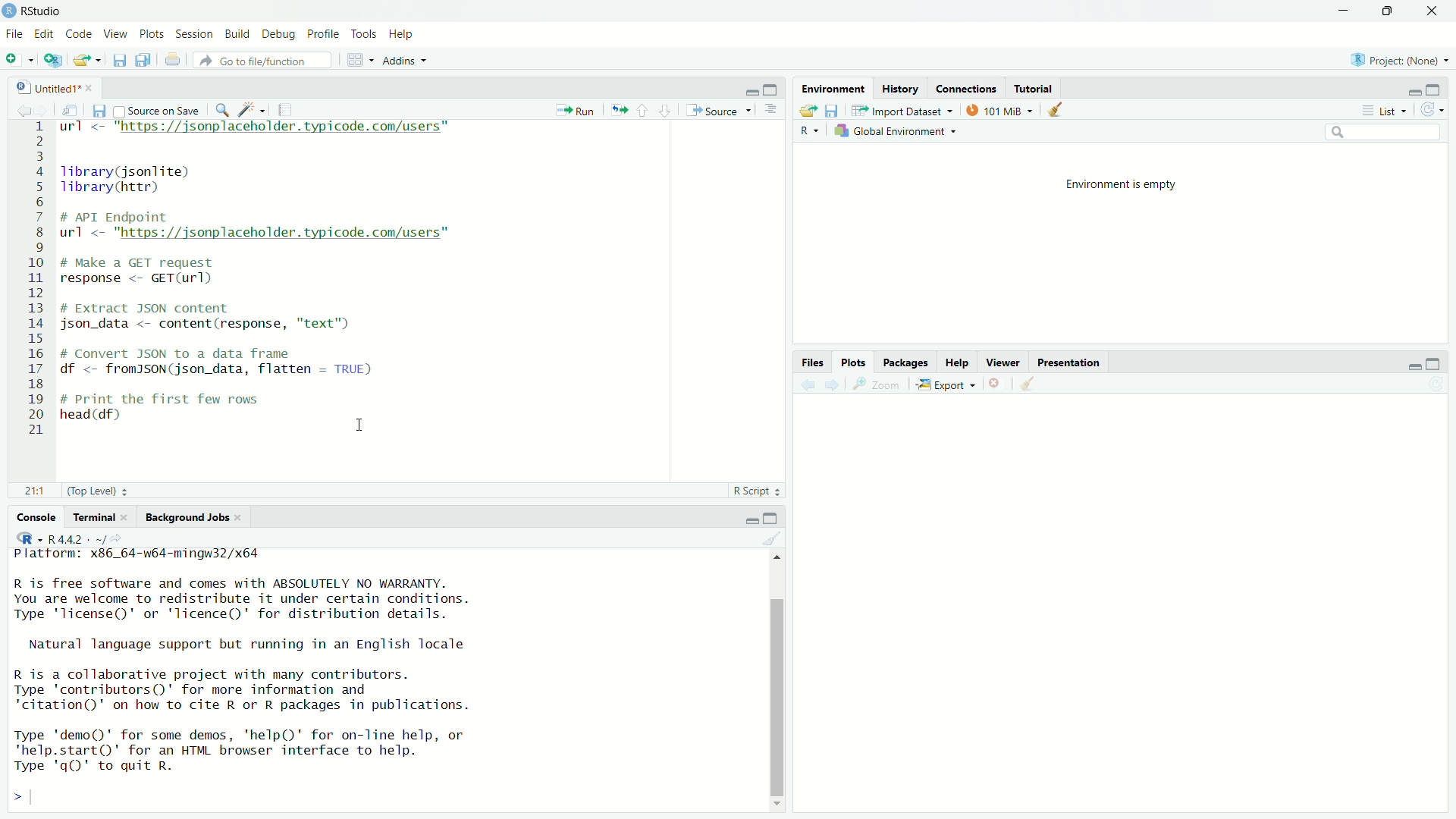  I want to click on Refresh, so click(1438, 385).